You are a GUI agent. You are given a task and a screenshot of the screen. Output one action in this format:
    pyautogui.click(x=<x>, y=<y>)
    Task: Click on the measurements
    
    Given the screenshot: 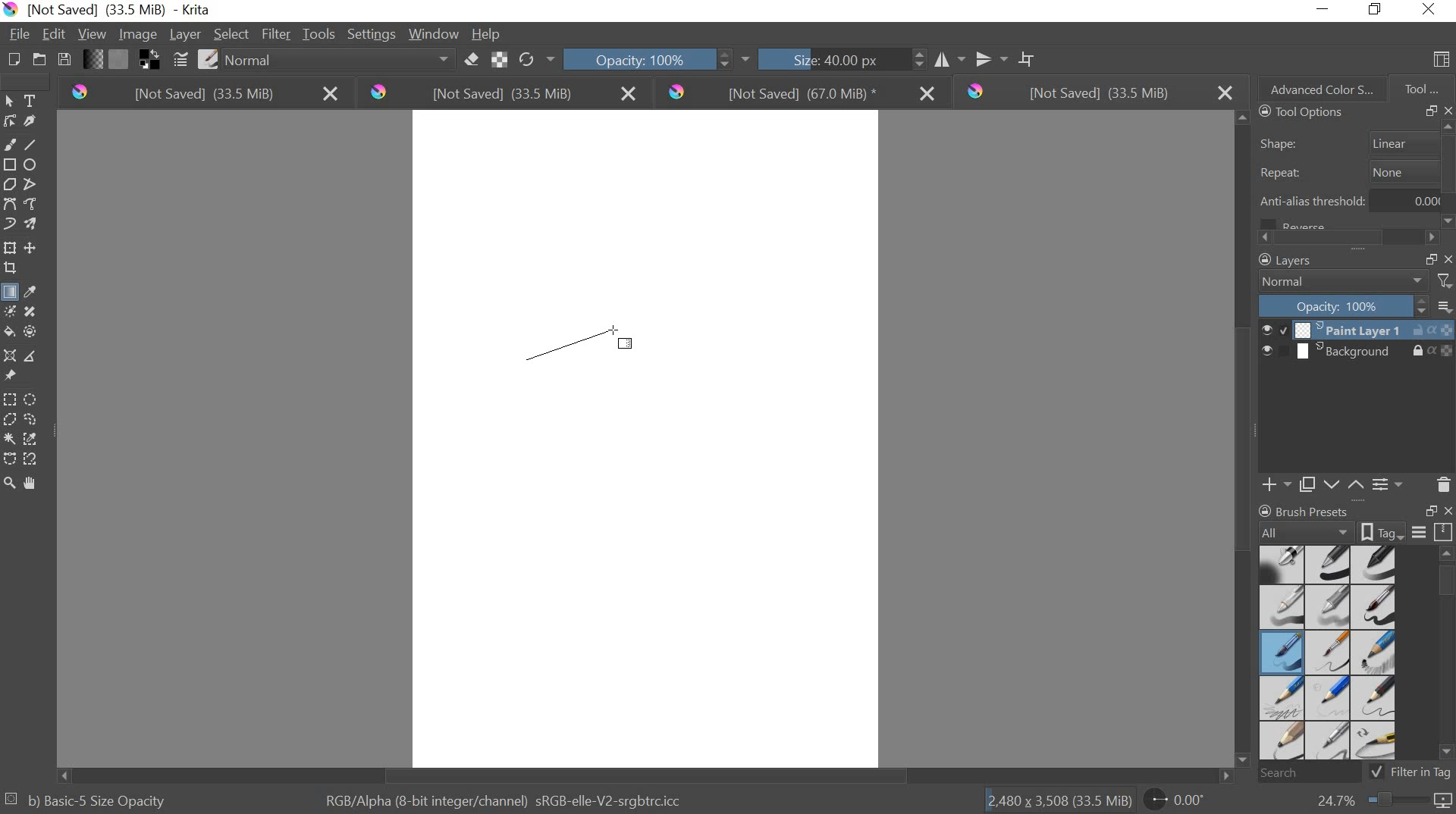 What is the action you would take?
    pyautogui.click(x=35, y=355)
    